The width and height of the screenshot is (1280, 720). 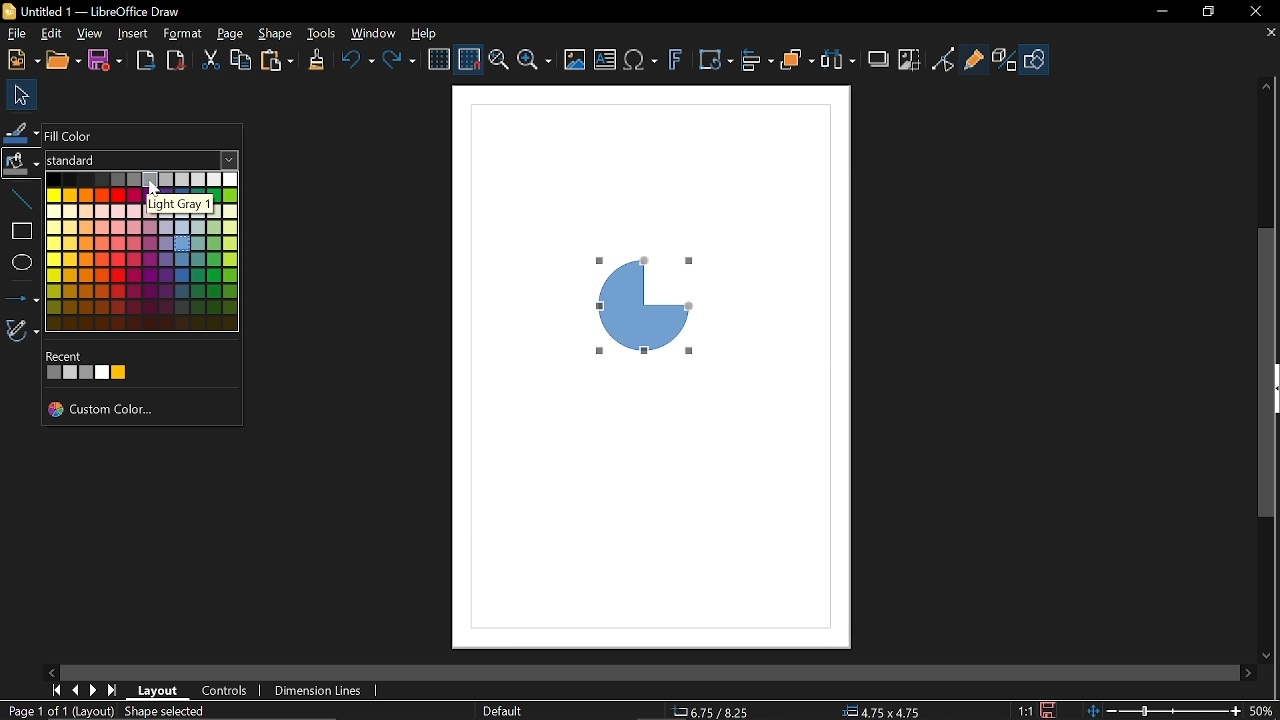 I want to click on Fill line, so click(x=22, y=130).